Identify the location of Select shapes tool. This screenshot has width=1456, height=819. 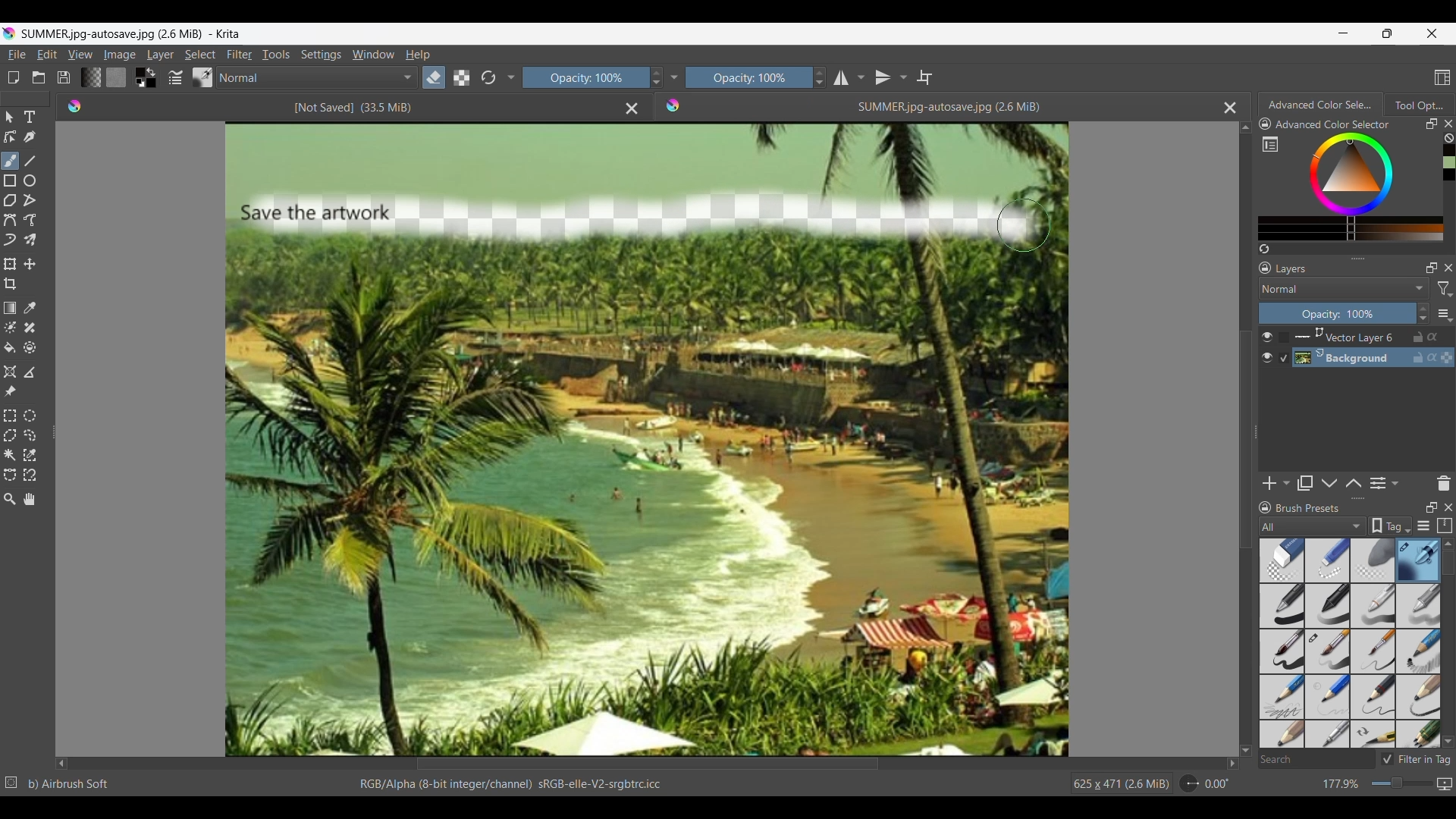
(9, 118).